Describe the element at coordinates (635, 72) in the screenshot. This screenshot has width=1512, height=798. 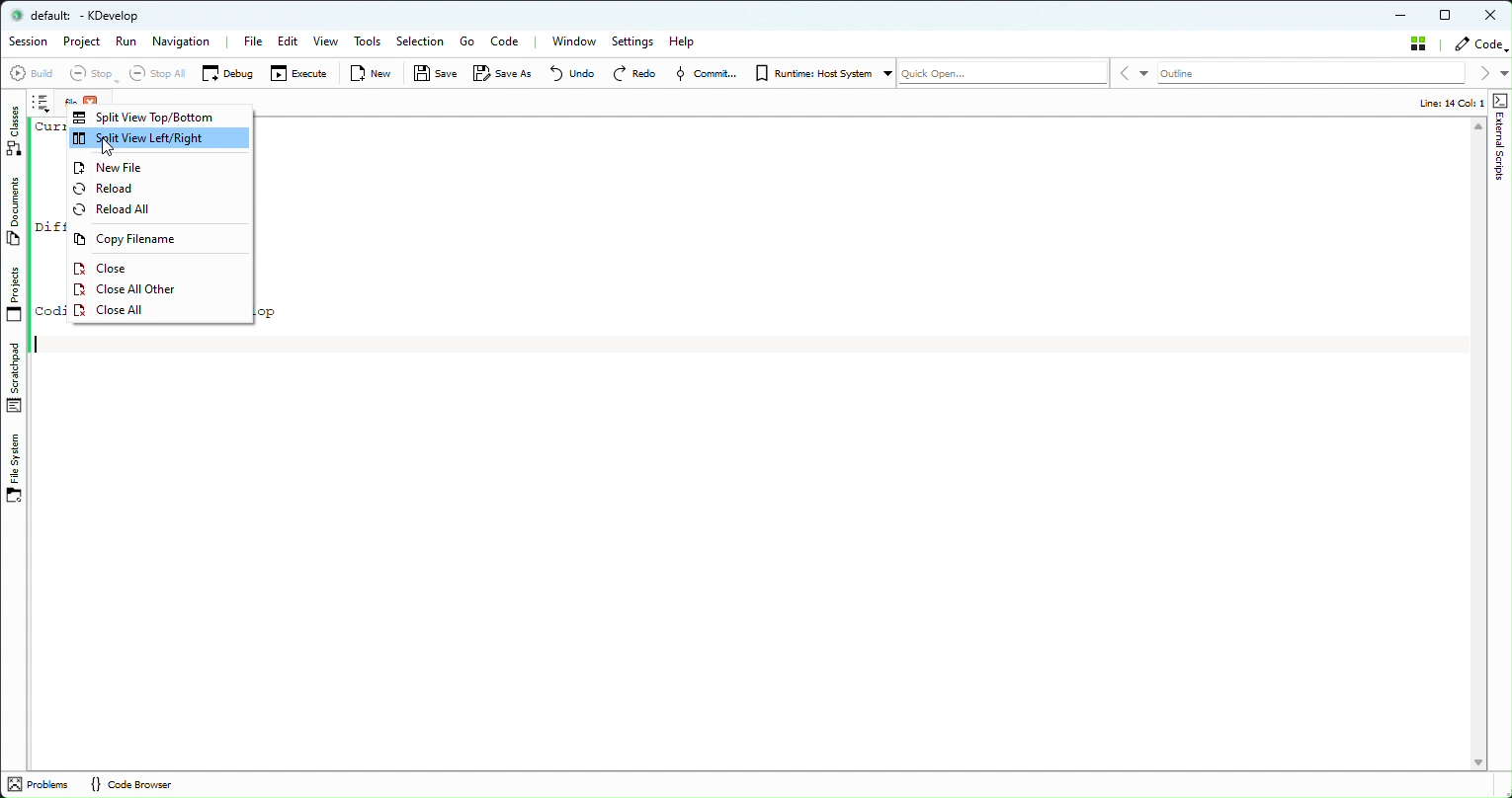
I see `Redo` at that location.